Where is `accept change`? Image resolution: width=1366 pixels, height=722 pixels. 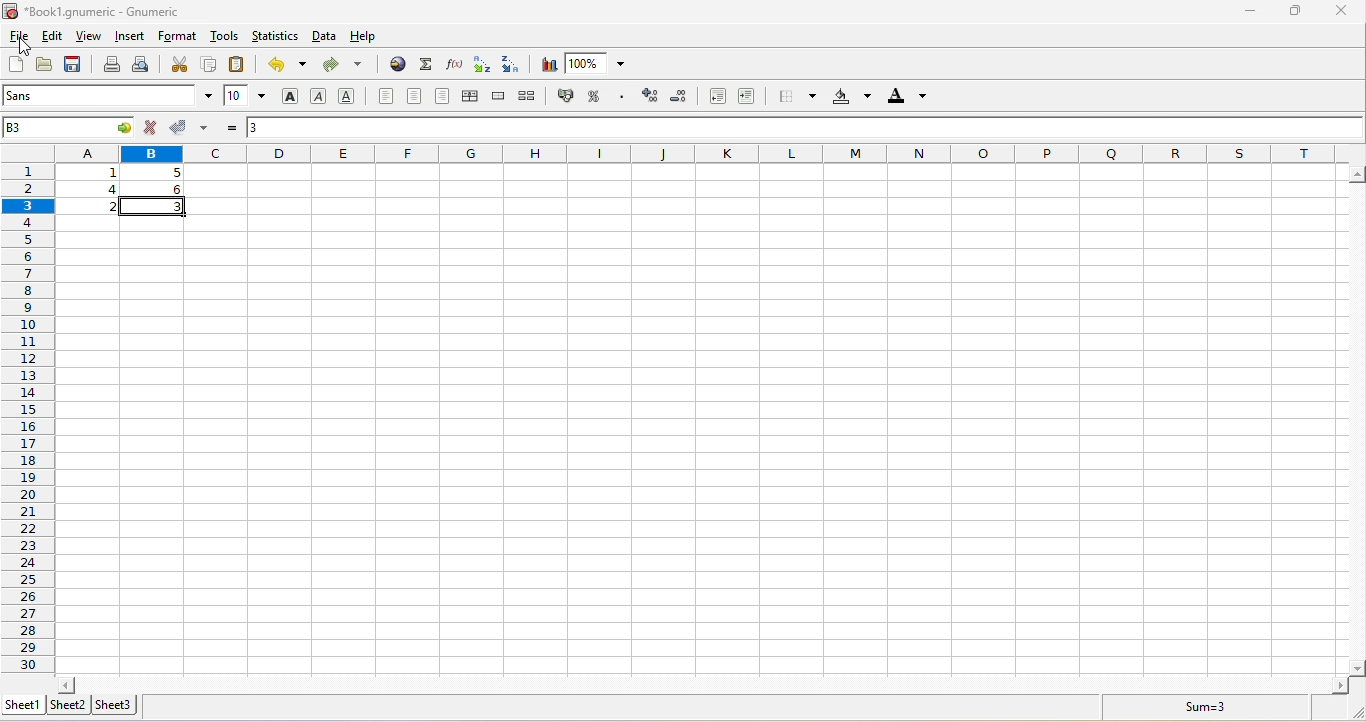
accept change is located at coordinates (197, 128).